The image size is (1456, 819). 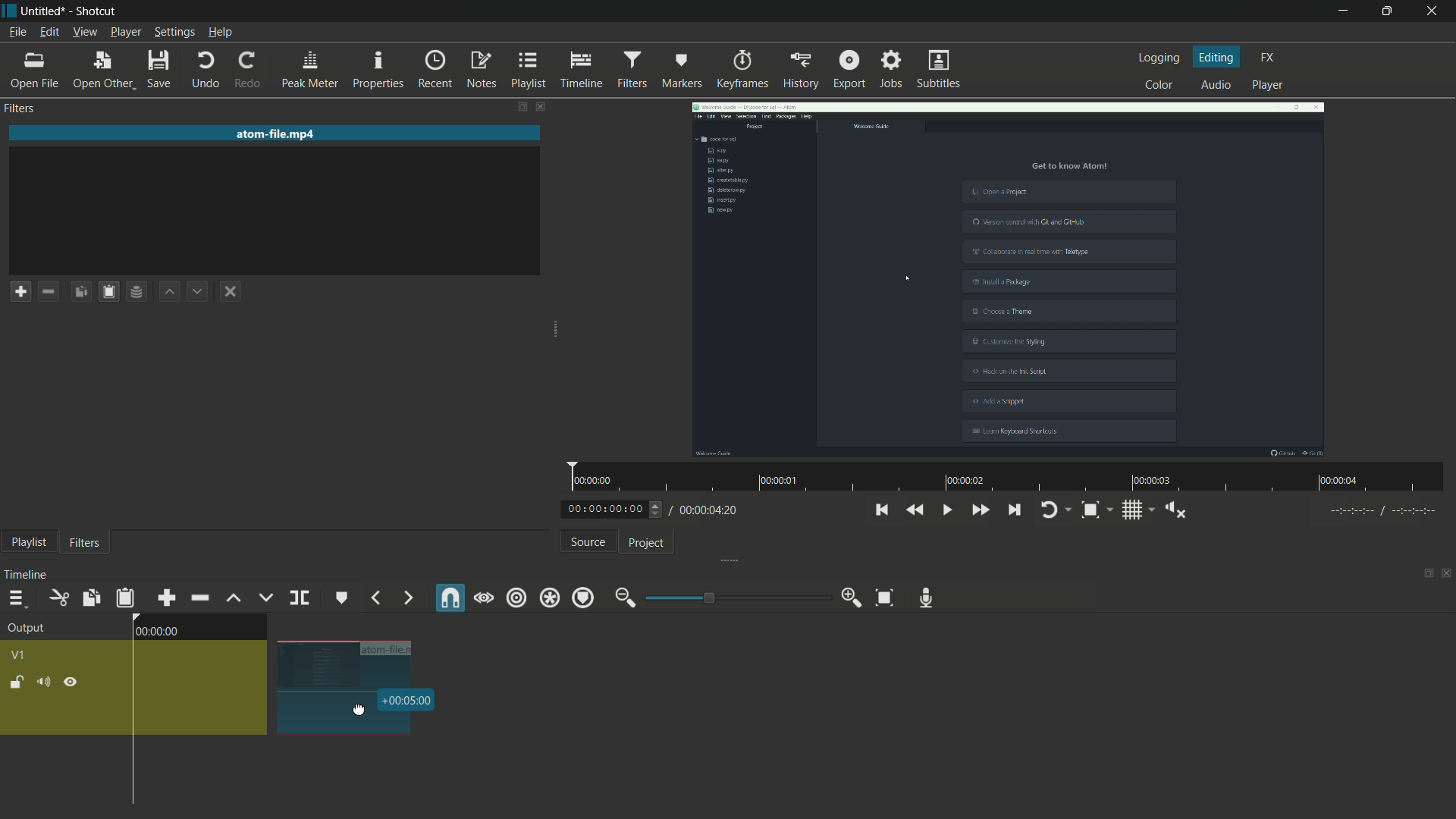 I want to click on File Name, so click(x=390, y=646).